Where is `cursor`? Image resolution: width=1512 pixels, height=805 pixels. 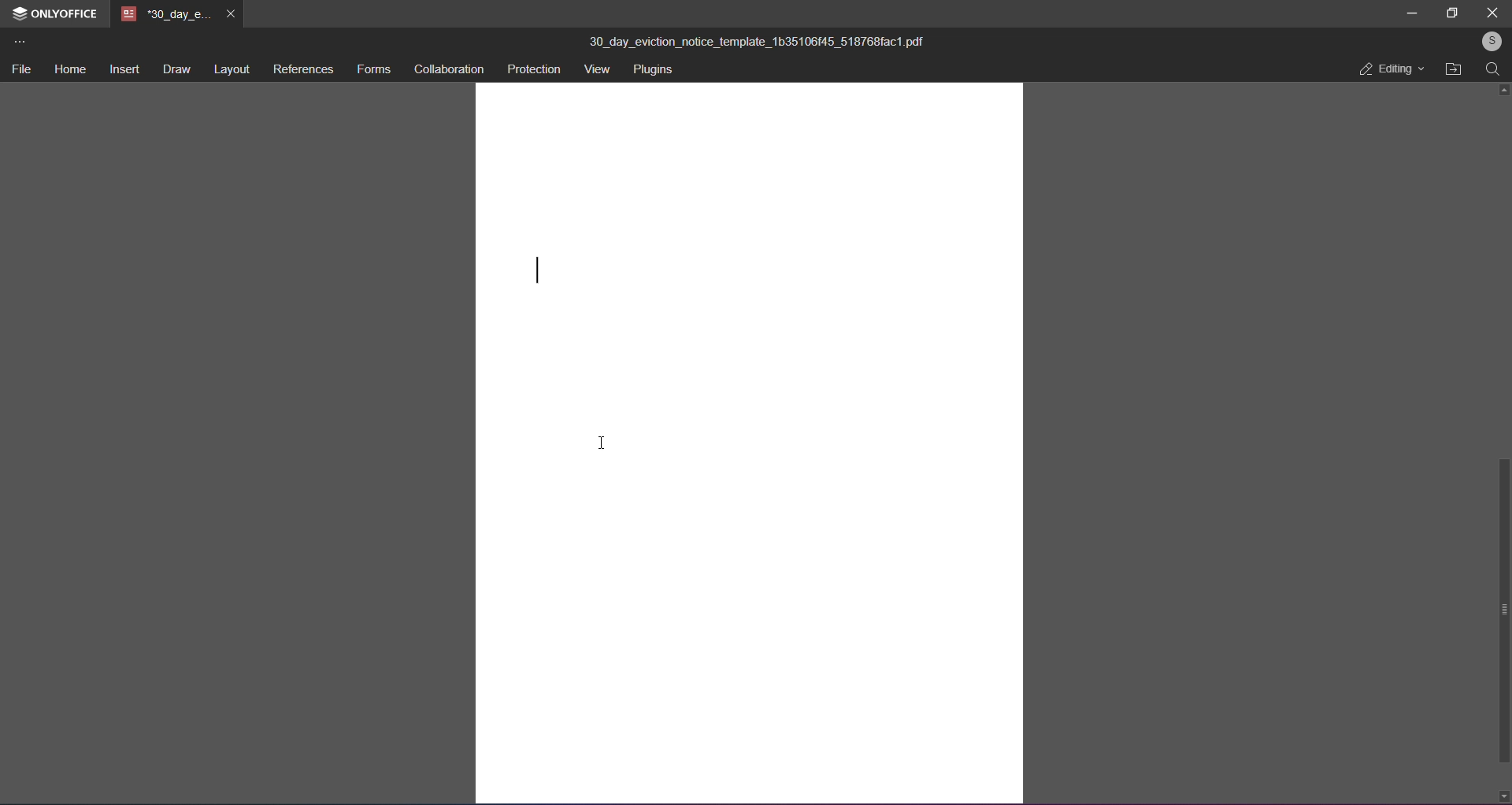 cursor is located at coordinates (601, 443).